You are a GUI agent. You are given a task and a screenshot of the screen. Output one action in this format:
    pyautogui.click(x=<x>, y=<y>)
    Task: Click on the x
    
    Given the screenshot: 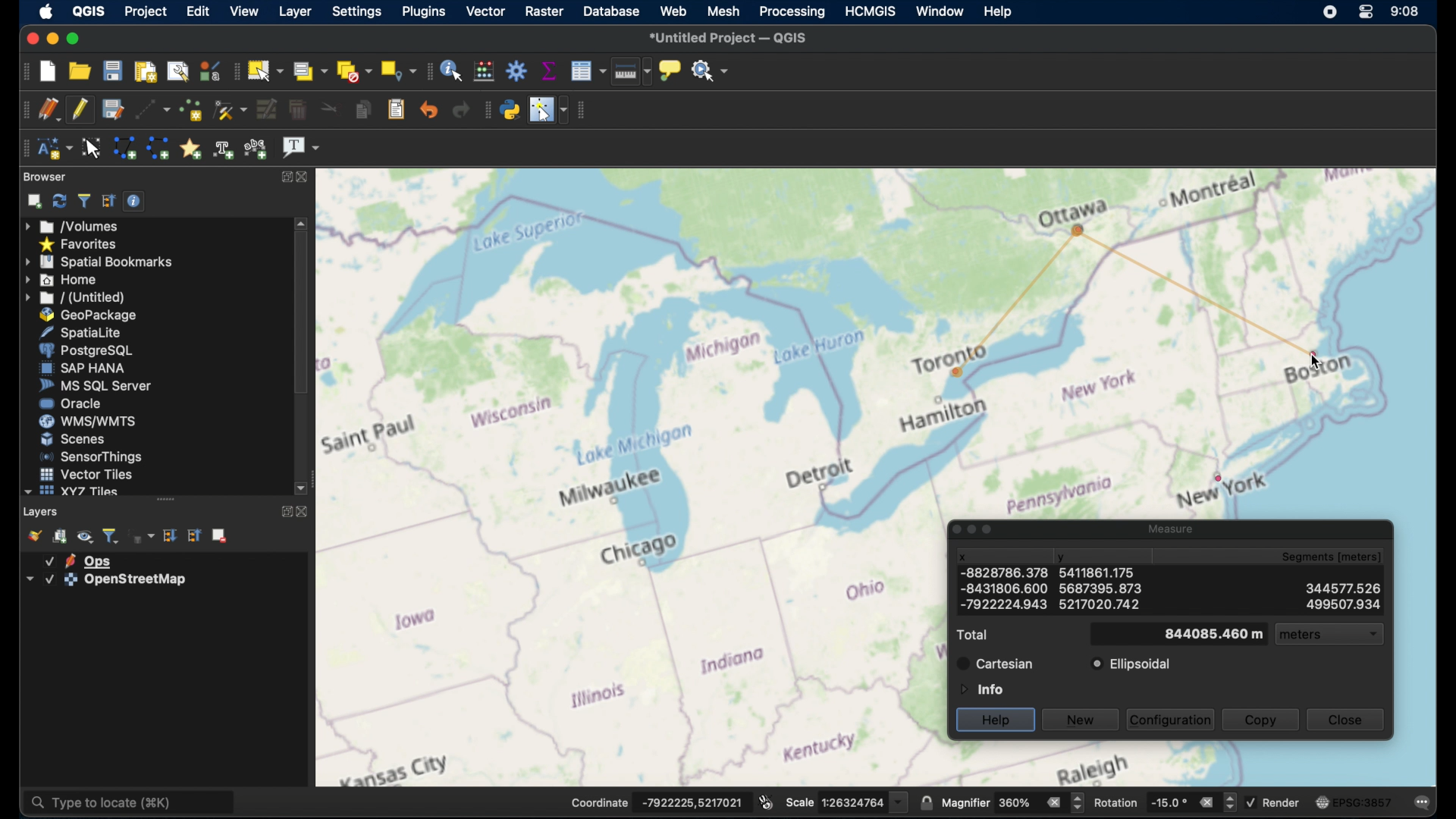 What is the action you would take?
    pyautogui.click(x=963, y=557)
    